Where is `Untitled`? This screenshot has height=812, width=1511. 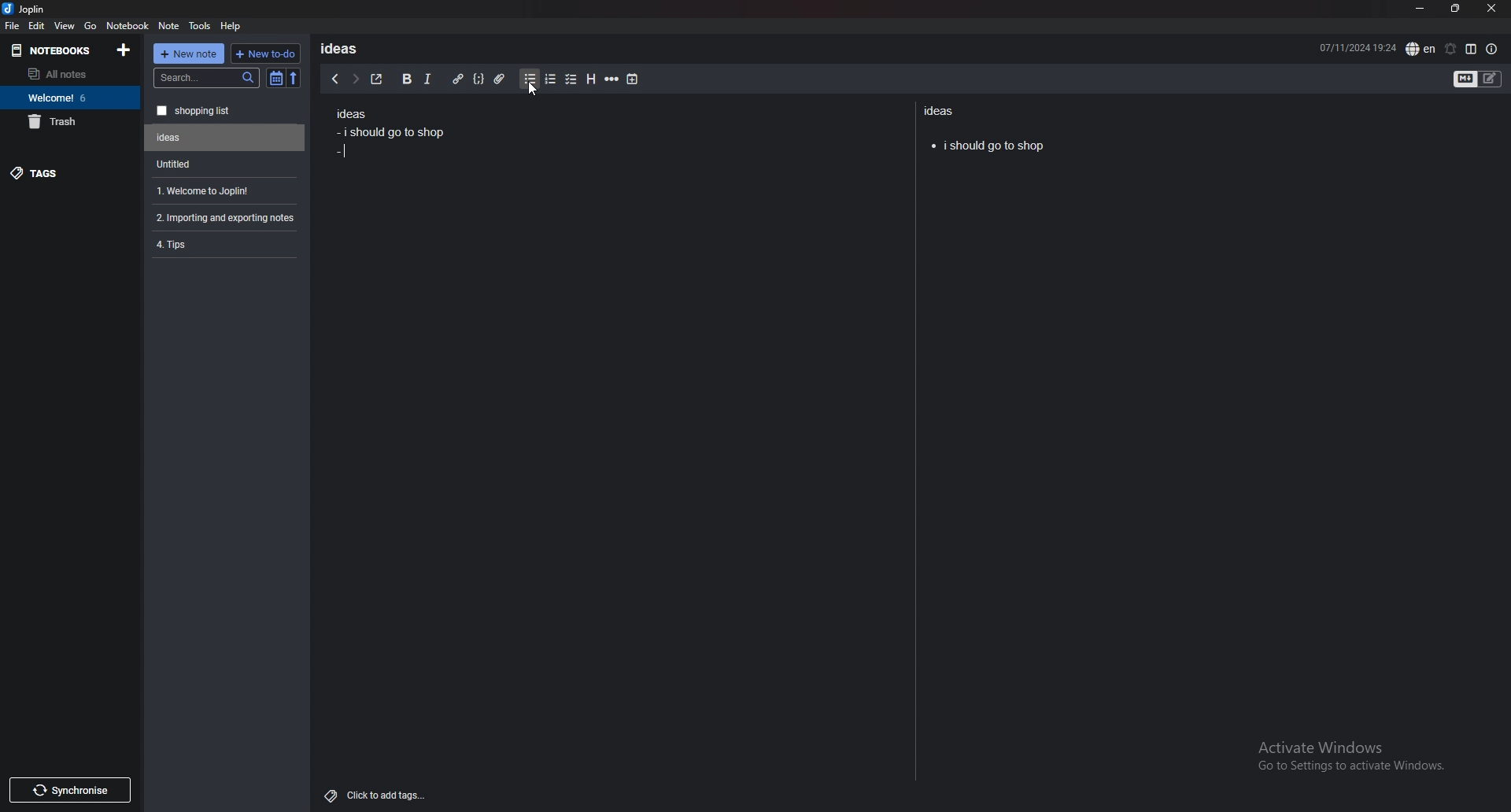 Untitled is located at coordinates (225, 138).